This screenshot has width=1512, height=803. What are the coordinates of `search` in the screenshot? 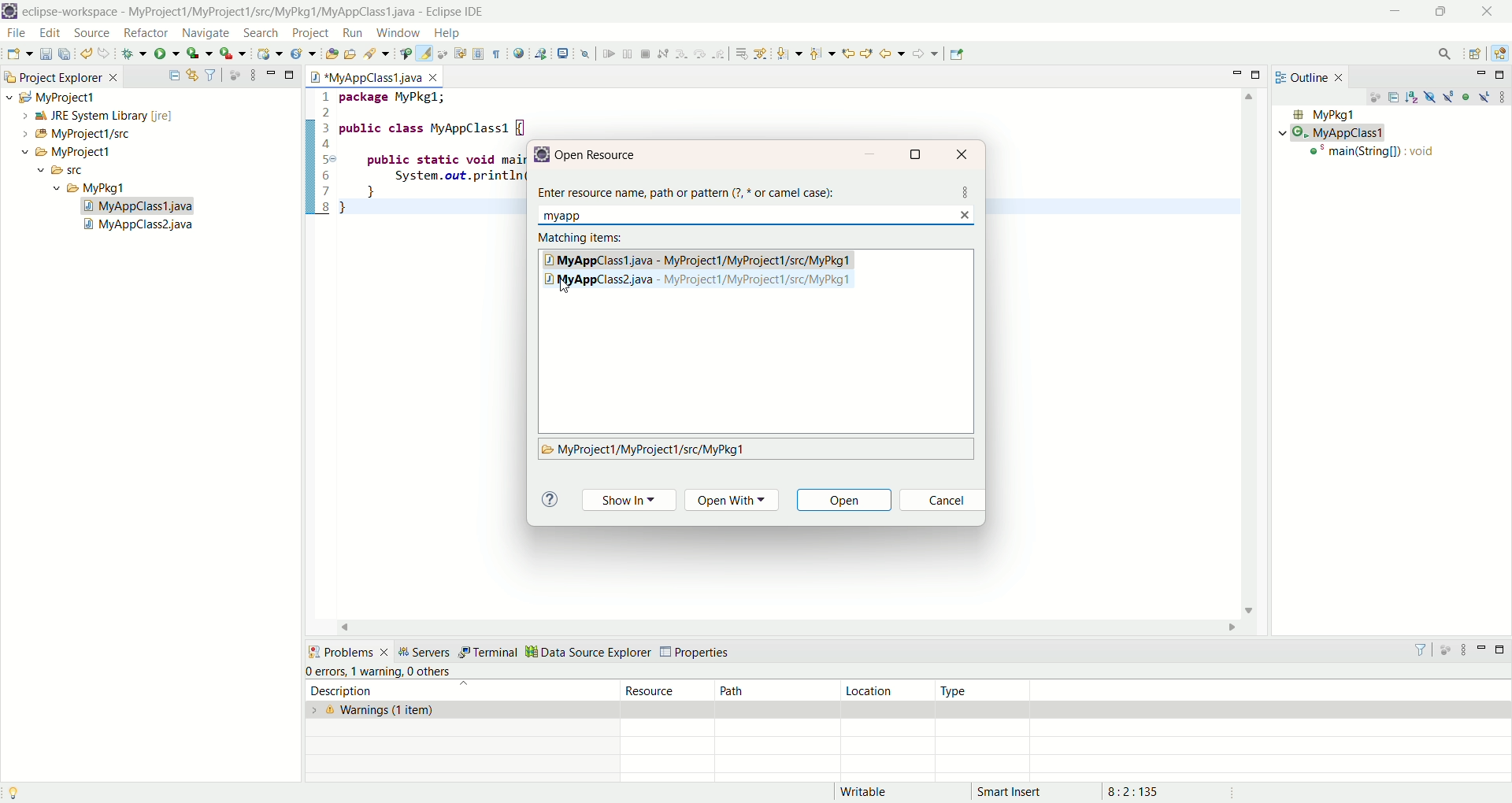 It's located at (262, 32).